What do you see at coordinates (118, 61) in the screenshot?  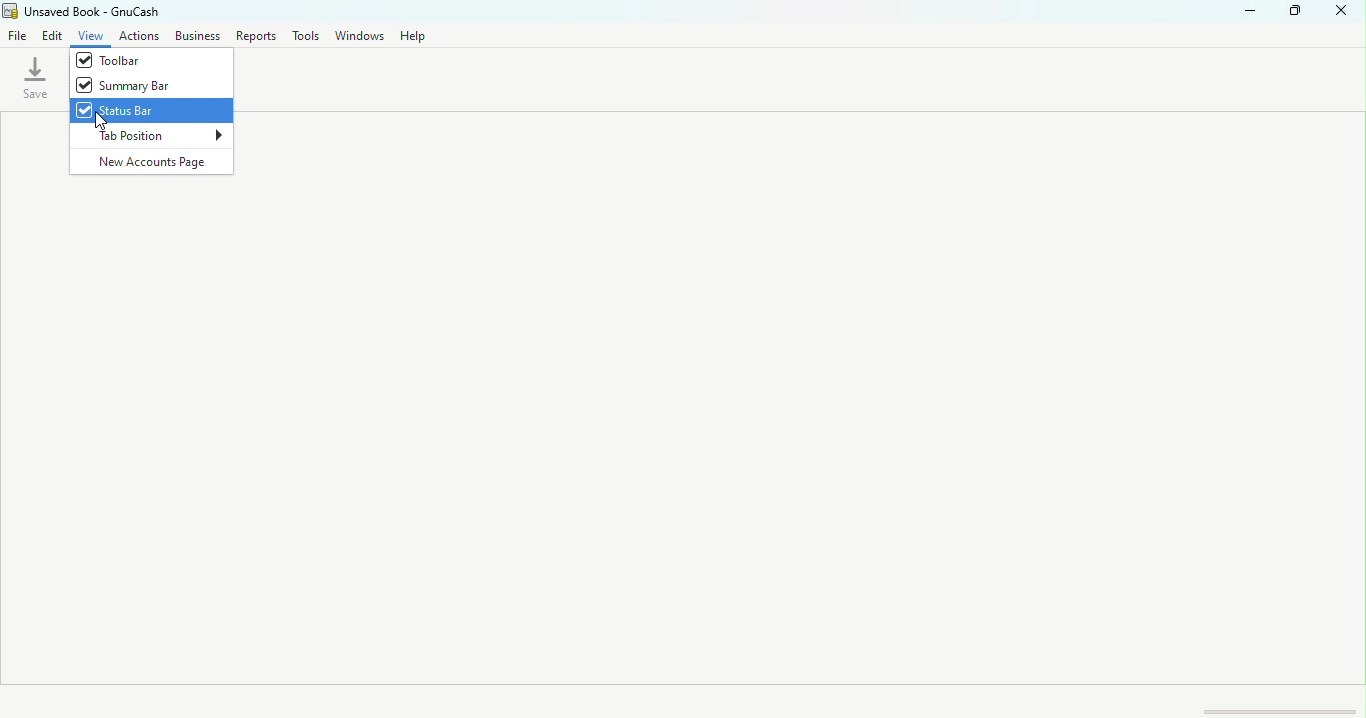 I see `Toolbar` at bounding box center [118, 61].